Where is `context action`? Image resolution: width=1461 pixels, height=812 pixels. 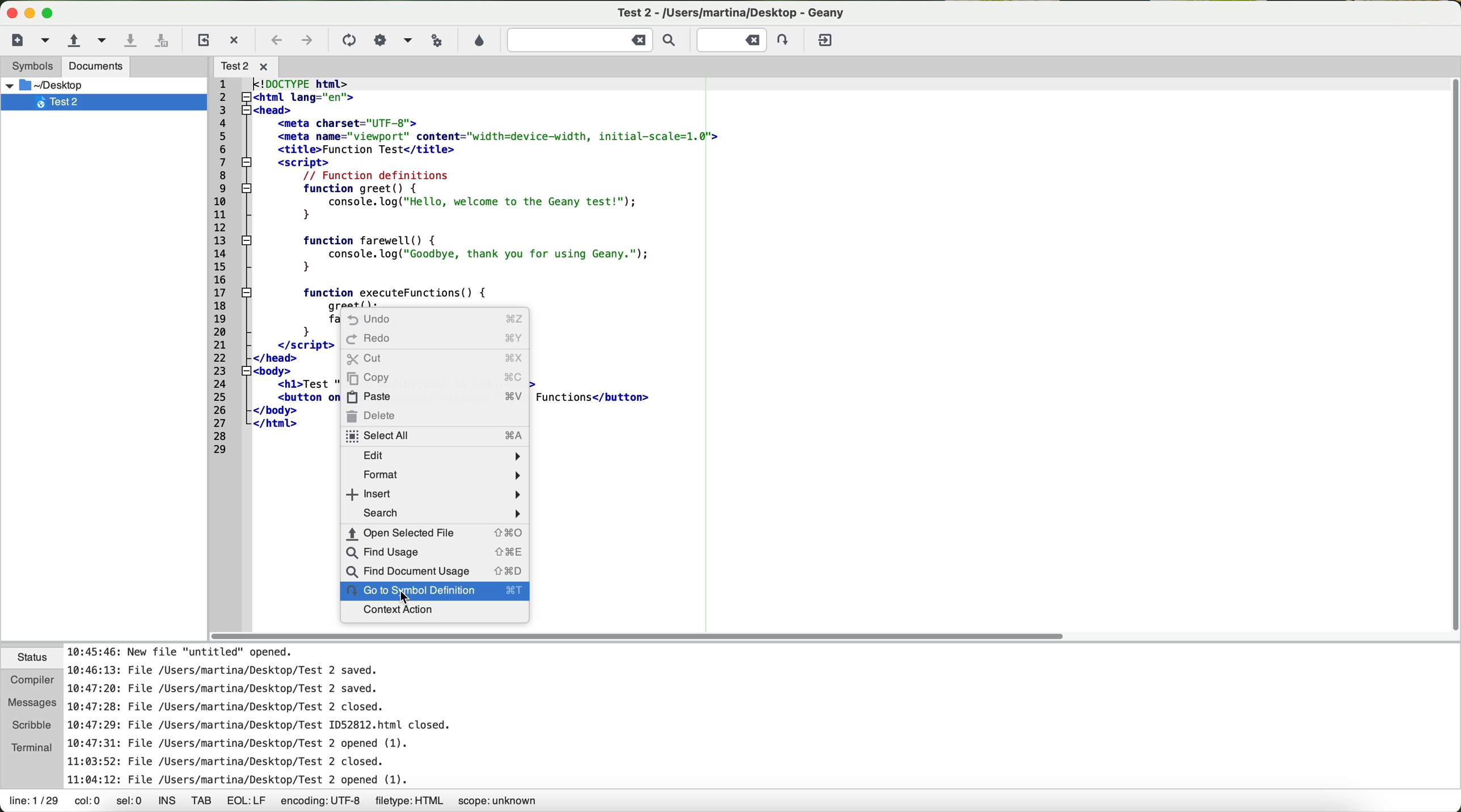
context action is located at coordinates (396, 611).